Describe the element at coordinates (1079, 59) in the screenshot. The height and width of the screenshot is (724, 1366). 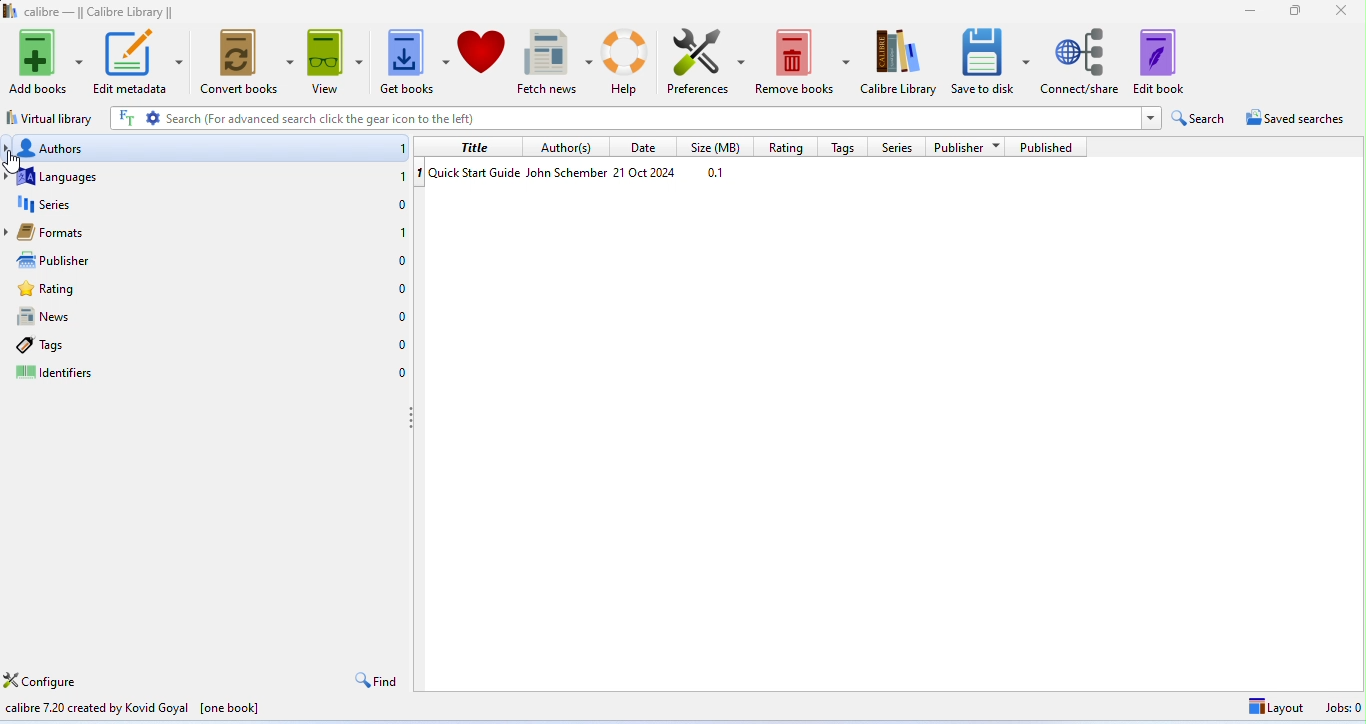
I see `connect share` at that location.